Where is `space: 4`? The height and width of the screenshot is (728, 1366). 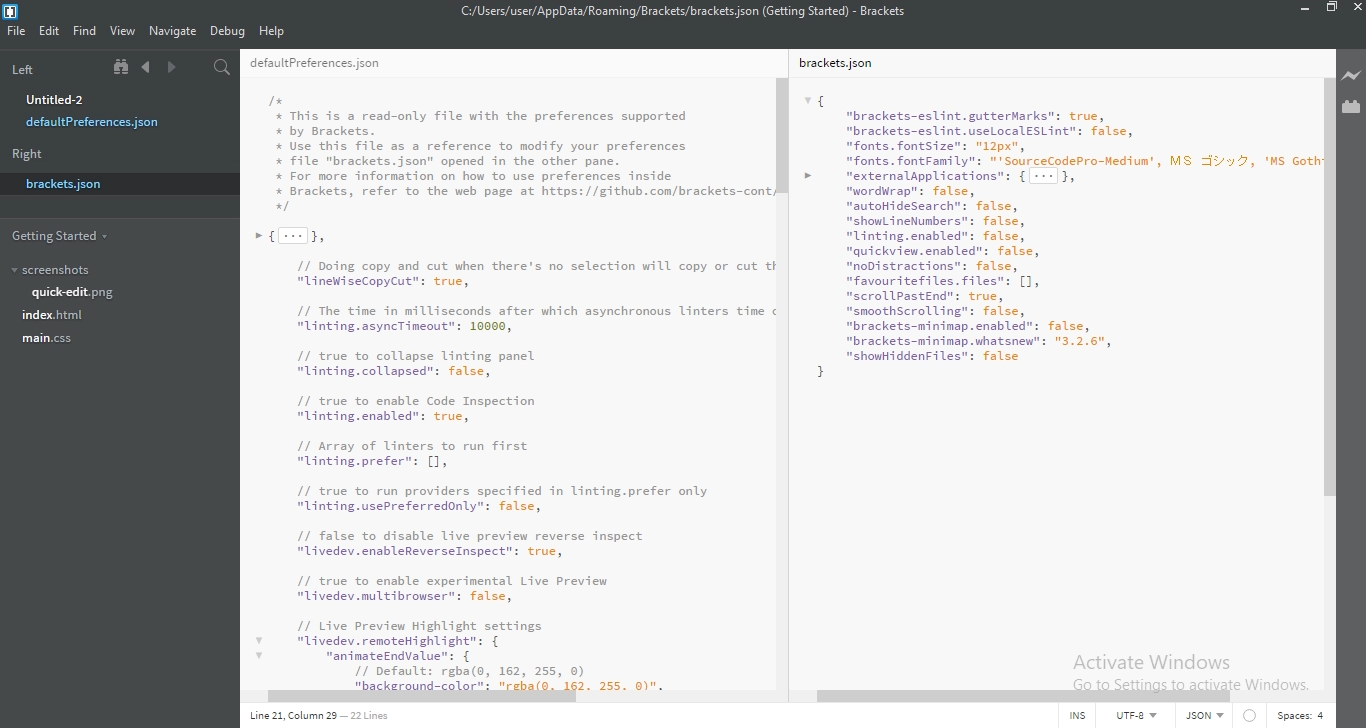 space: 4 is located at coordinates (1306, 715).